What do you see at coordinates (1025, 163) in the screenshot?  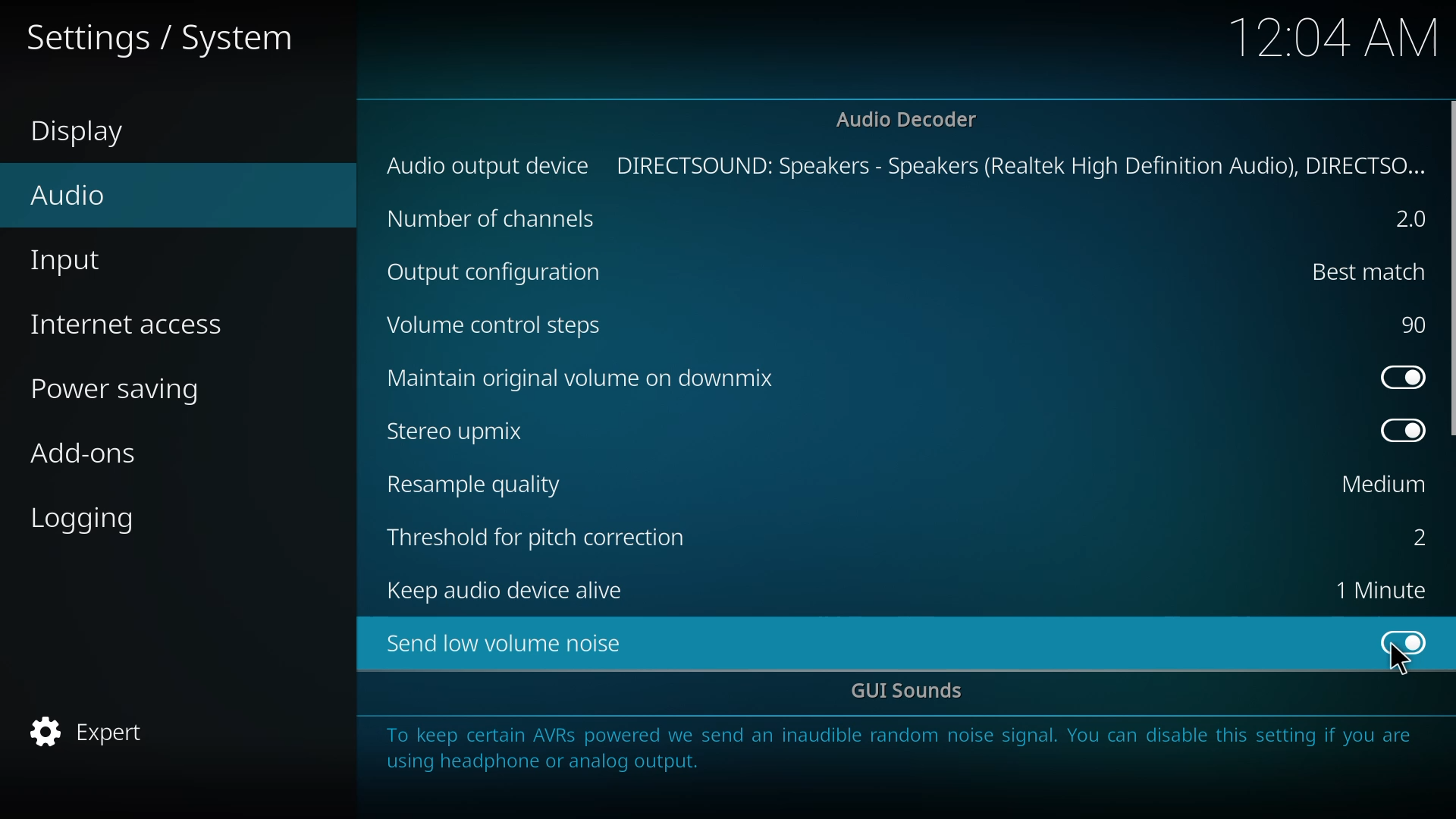 I see `directsound` at bounding box center [1025, 163].